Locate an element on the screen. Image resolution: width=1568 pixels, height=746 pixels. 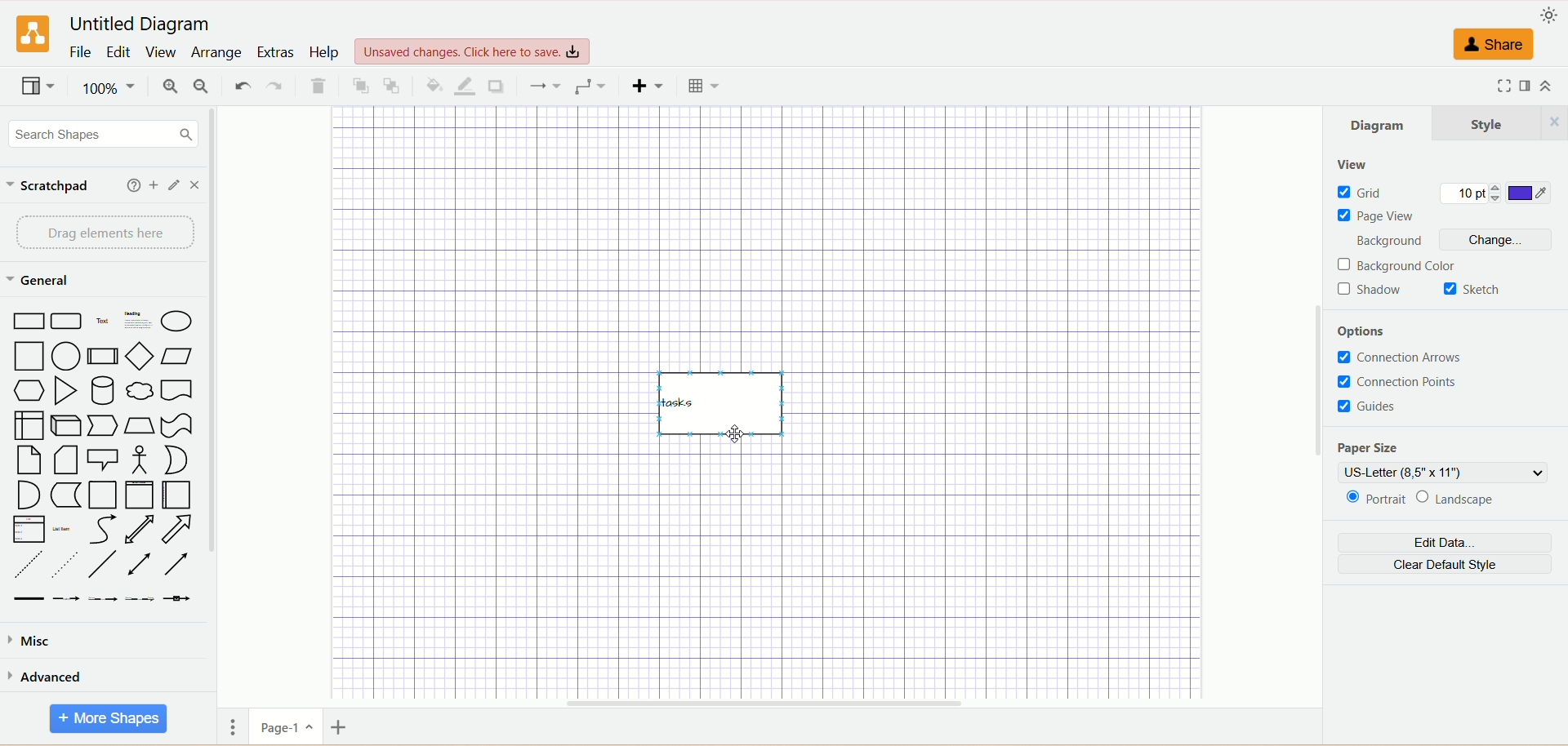
Semicricle is located at coordinates (29, 495).